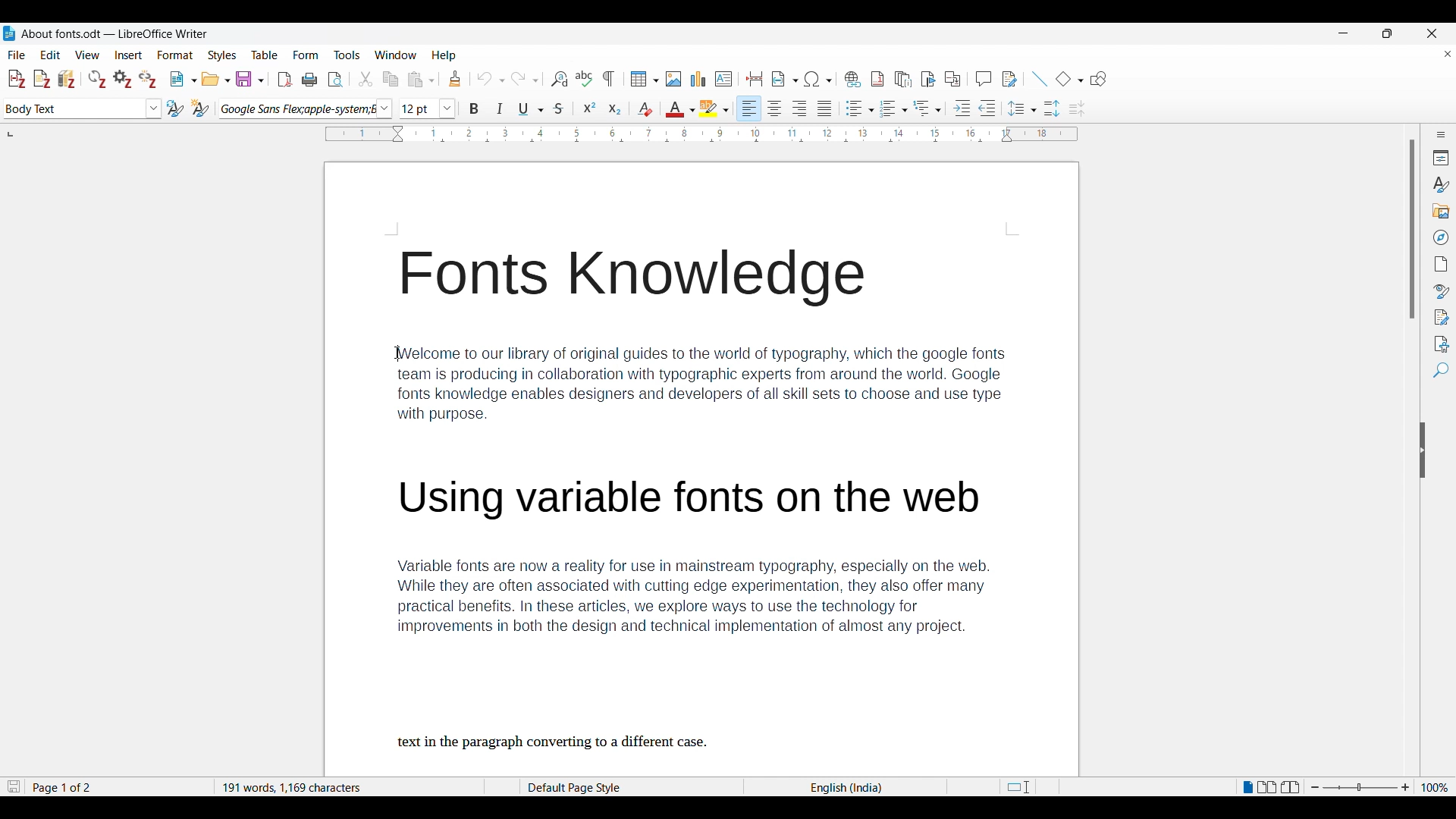  What do you see at coordinates (673, 79) in the screenshot?
I see `Insert image` at bounding box center [673, 79].